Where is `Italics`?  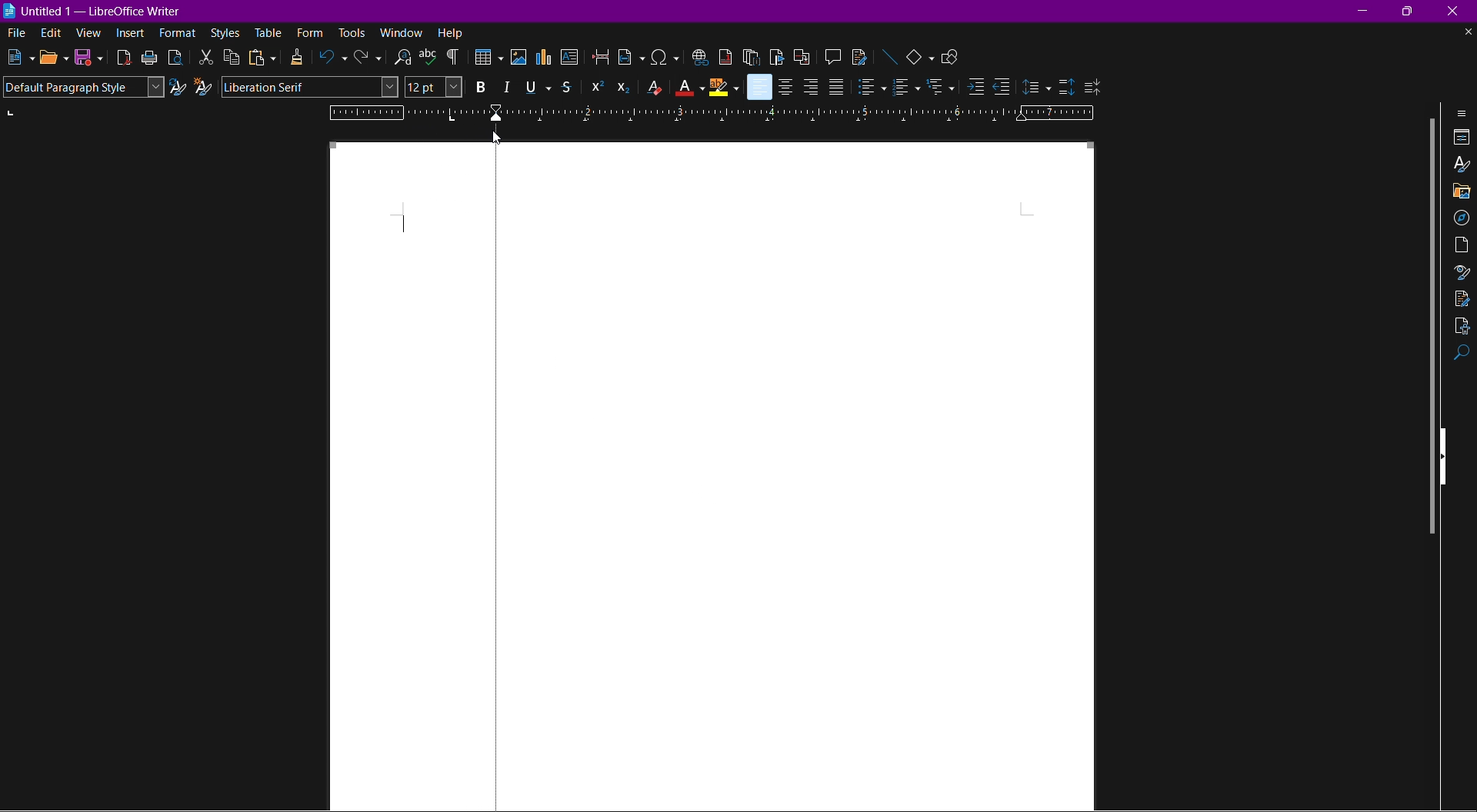
Italics is located at coordinates (506, 87).